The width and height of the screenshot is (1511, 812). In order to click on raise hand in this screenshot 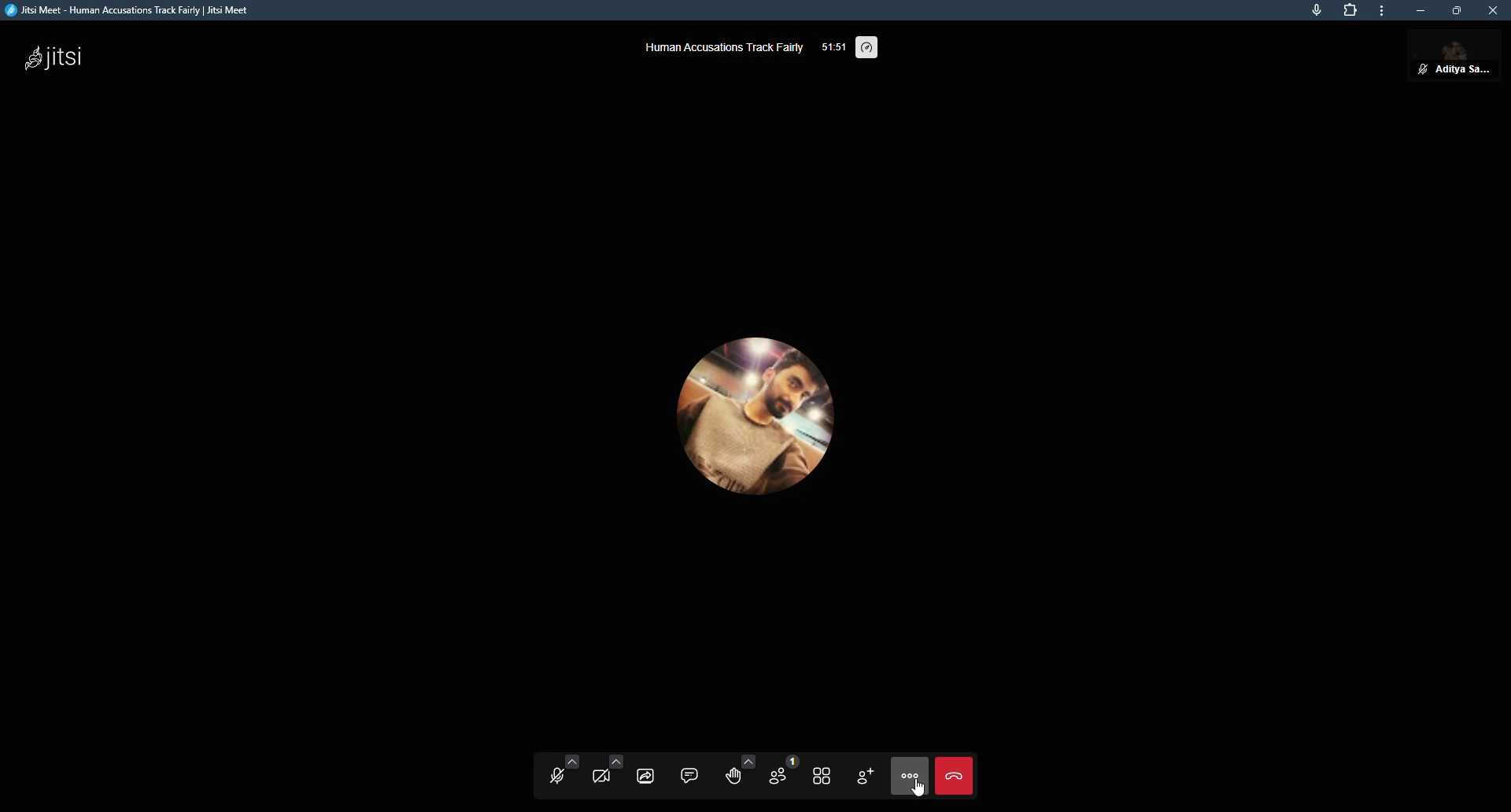, I will do `click(733, 774)`.